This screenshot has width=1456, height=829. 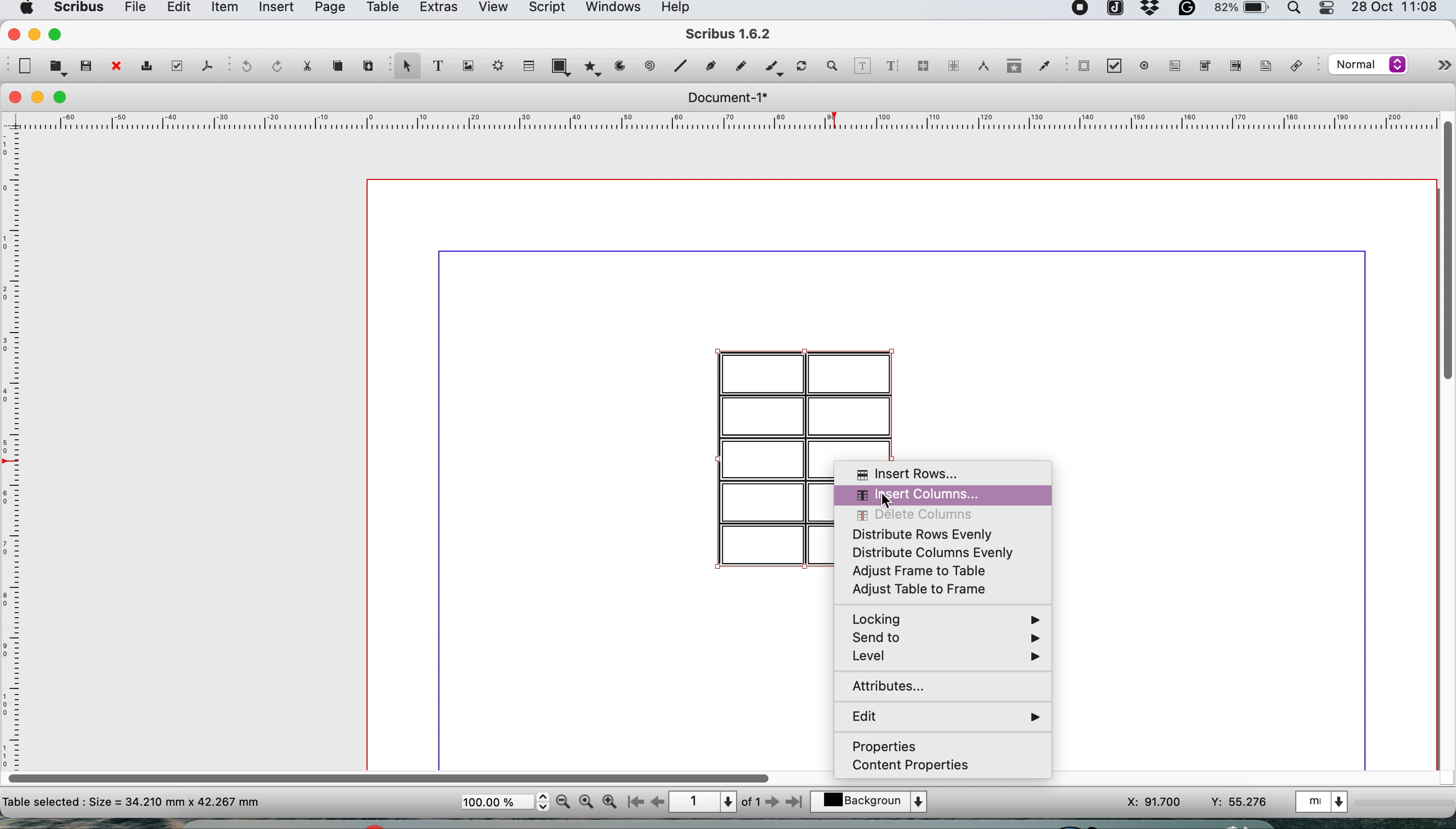 What do you see at coordinates (1234, 68) in the screenshot?
I see `pdf list box` at bounding box center [1234, 68].